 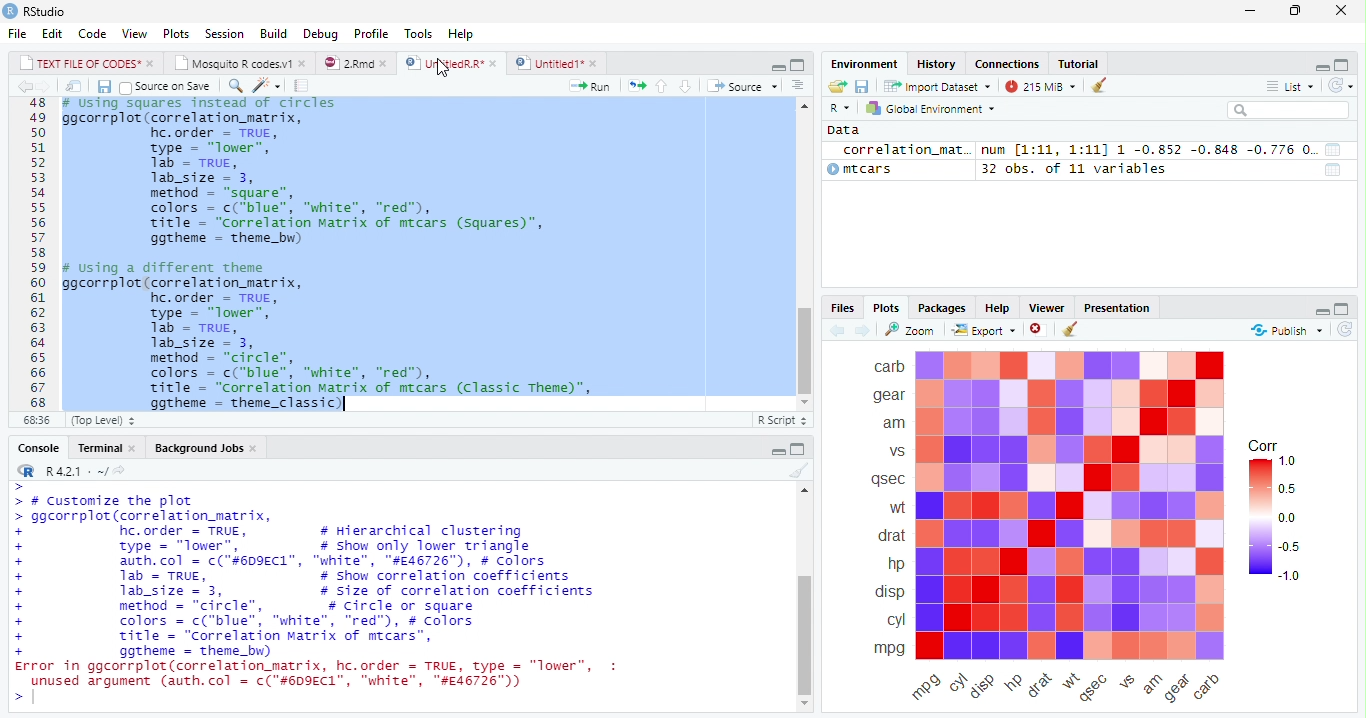 I want to click on find/replace, so click(x=235, y=87).